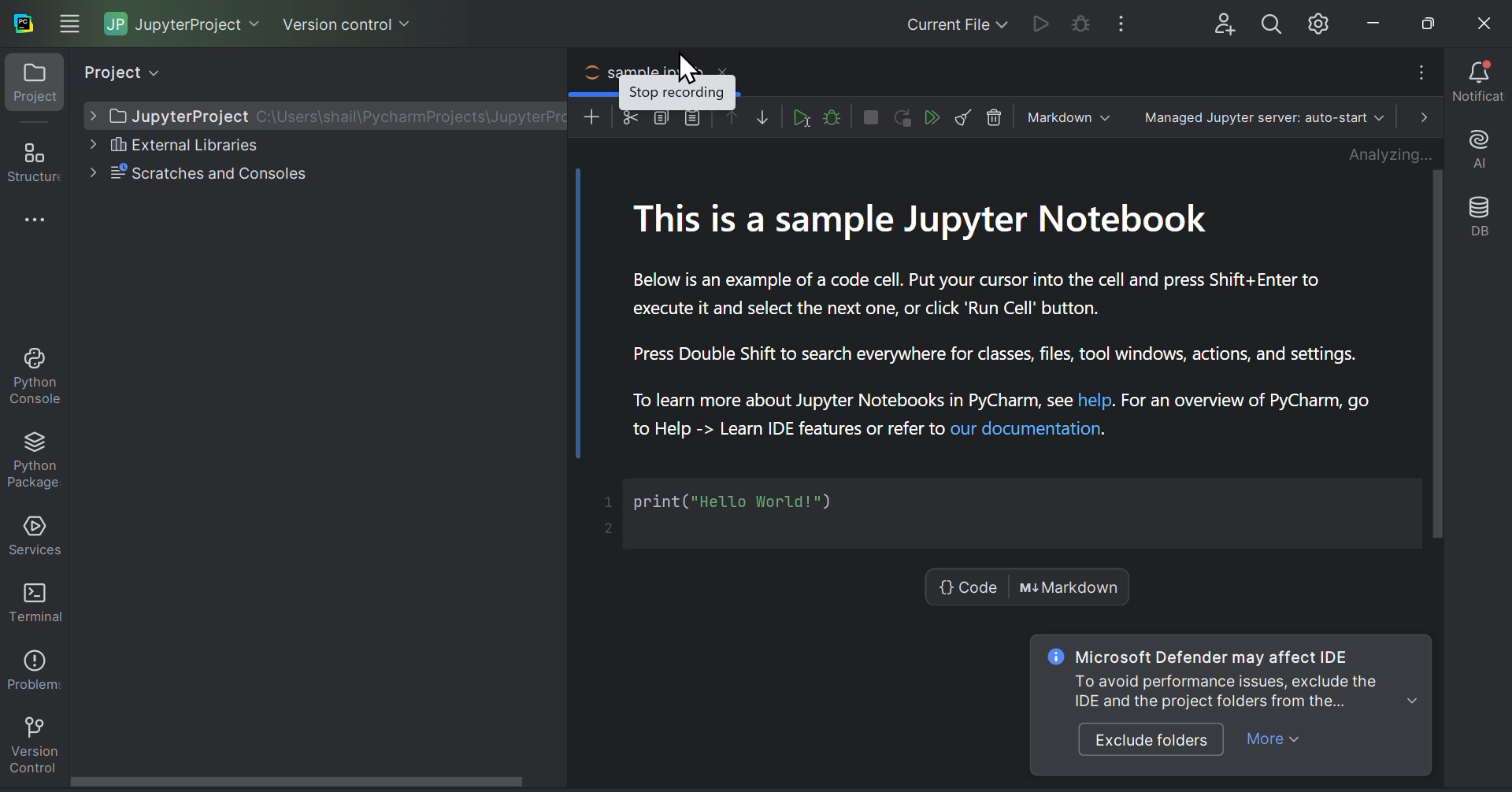 The image size is (1512, 792). I want to click on interrupt kernel, so click(871, 117).